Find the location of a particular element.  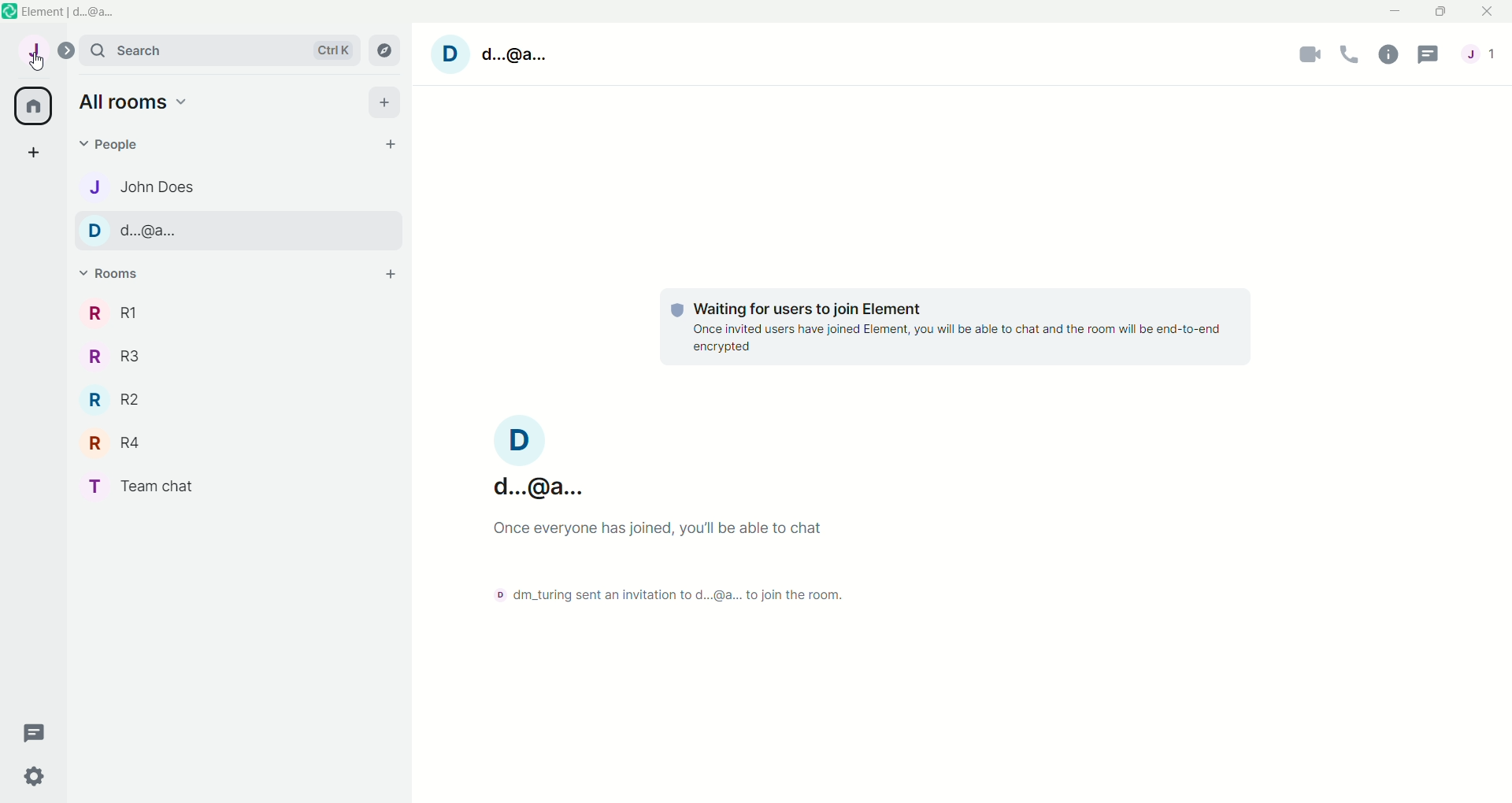

restore is located at coordinates (1441, 13).